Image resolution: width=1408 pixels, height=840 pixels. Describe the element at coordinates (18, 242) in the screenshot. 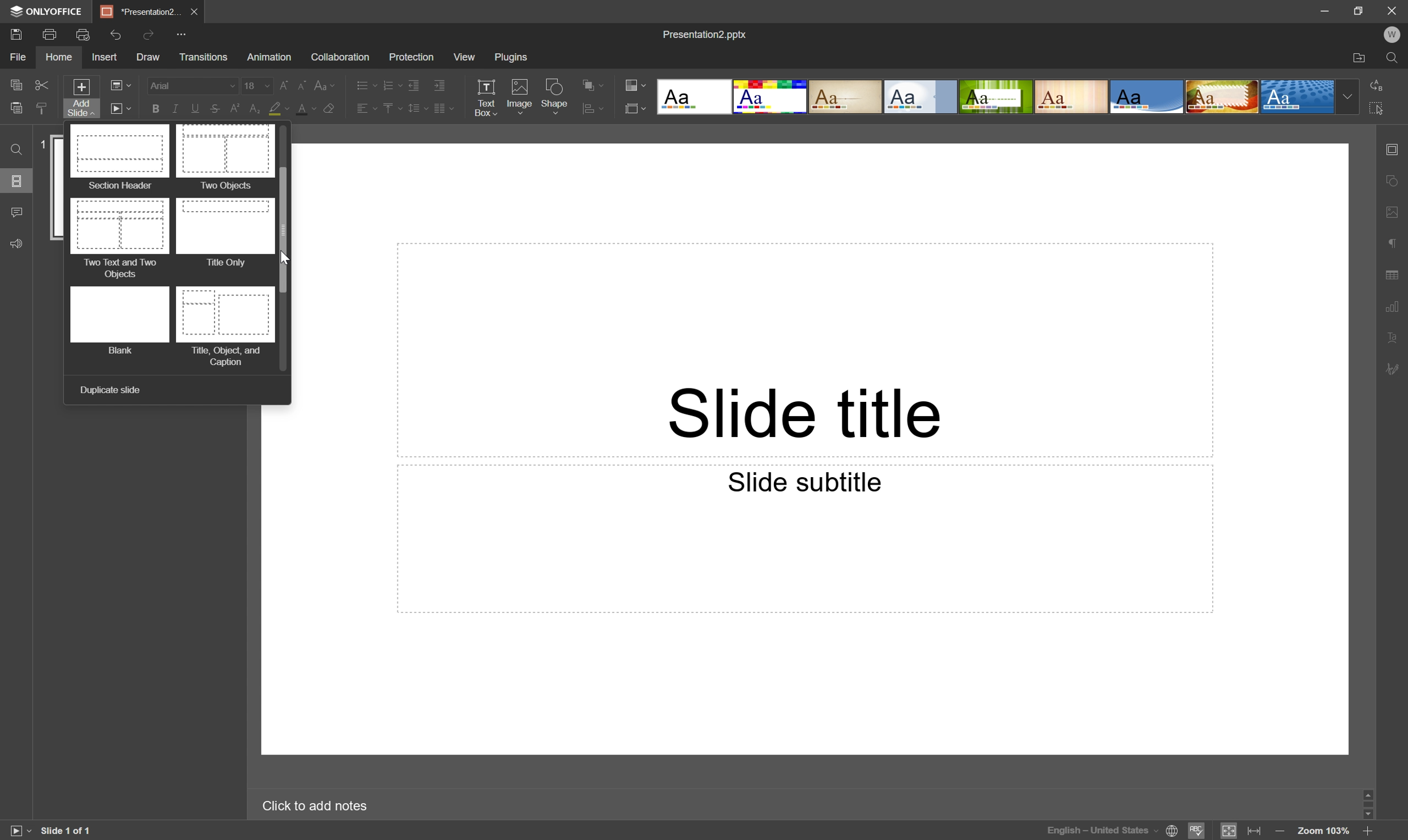

I see `Feedback & Support` at that location.